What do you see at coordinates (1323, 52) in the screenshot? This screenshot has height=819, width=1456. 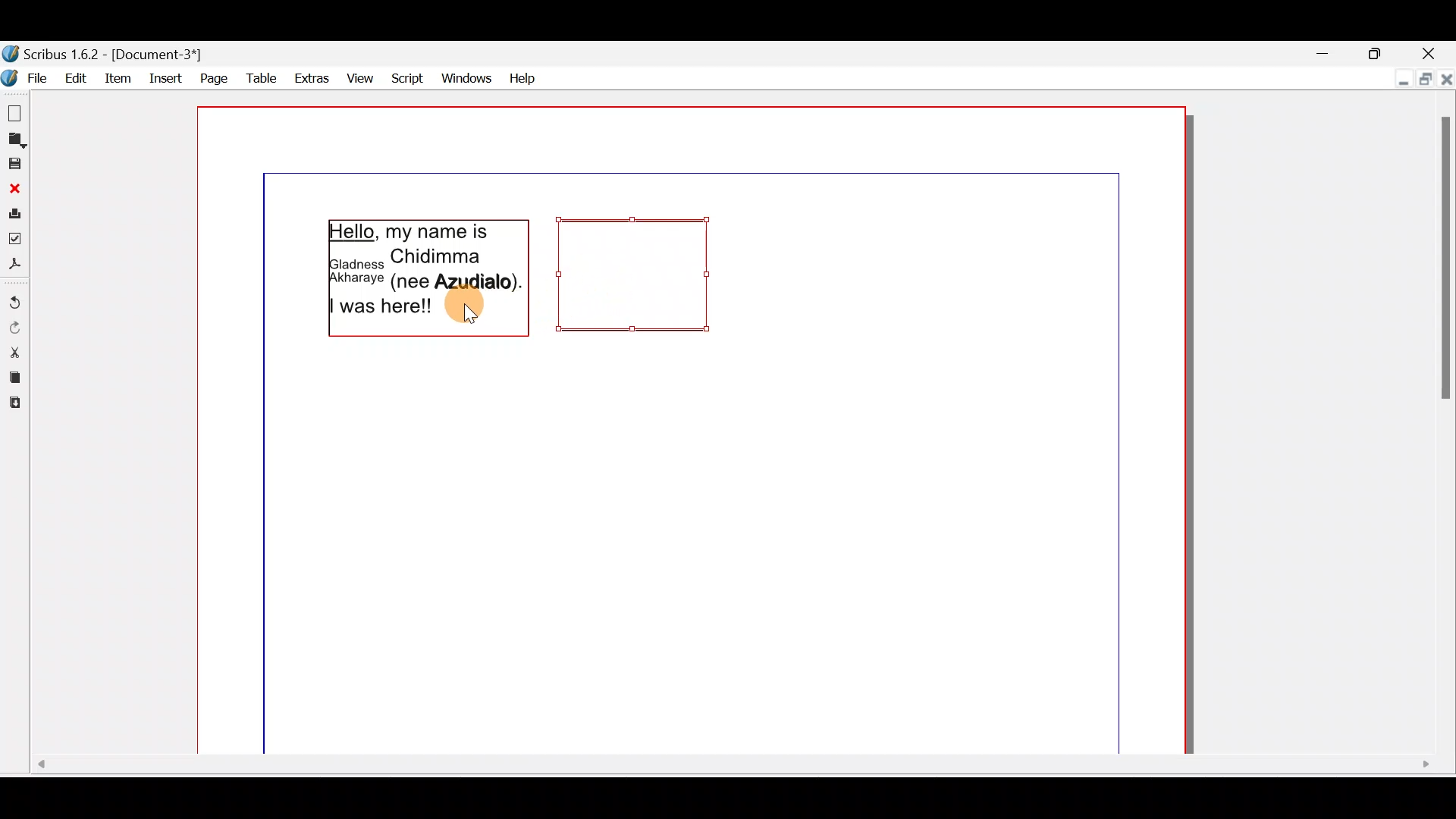 I see `Minimise` at bounding box center [1323, 52].